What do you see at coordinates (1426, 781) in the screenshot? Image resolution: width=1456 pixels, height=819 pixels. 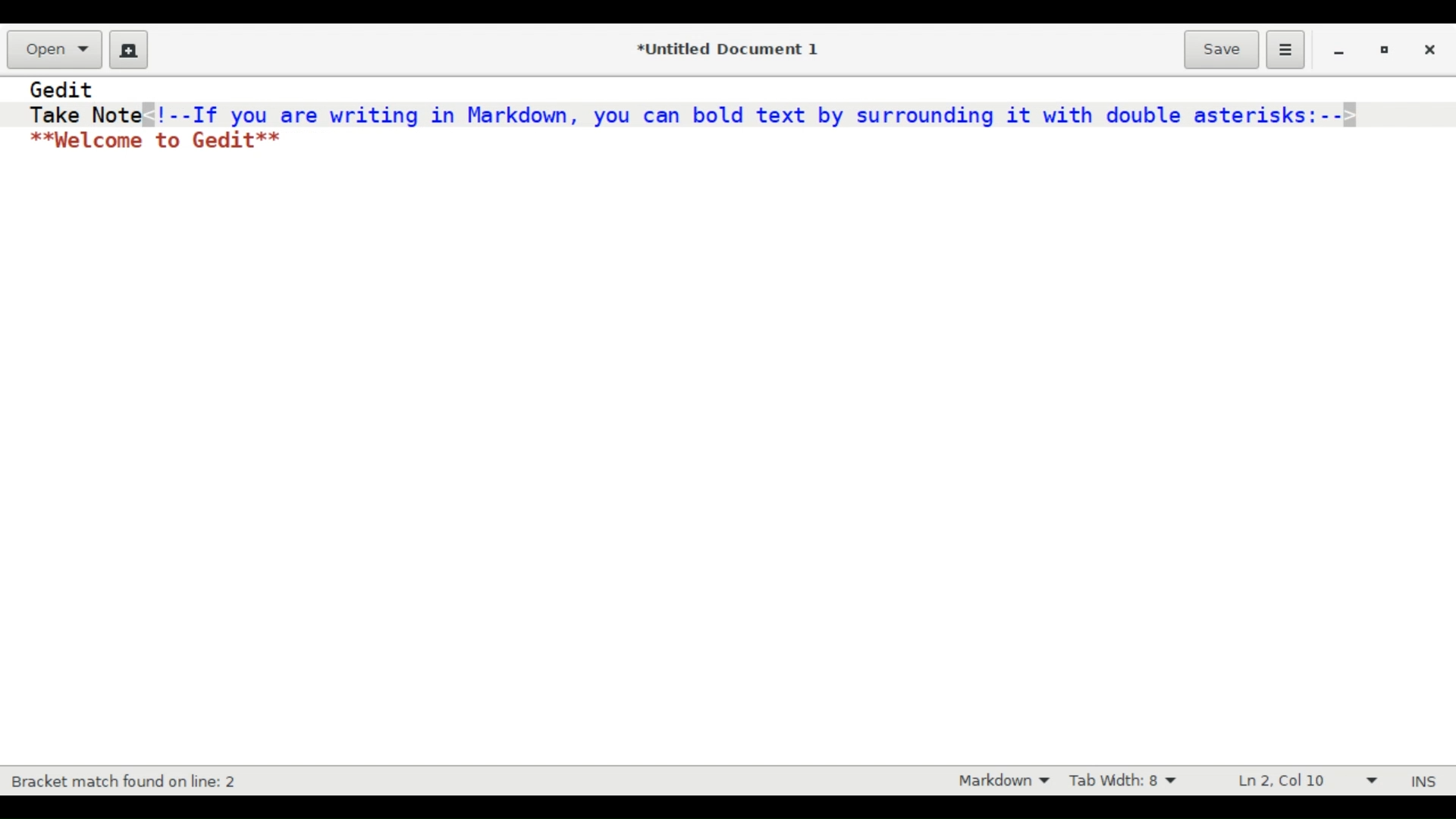 I see `INS` at bounding box center [1426, 781].